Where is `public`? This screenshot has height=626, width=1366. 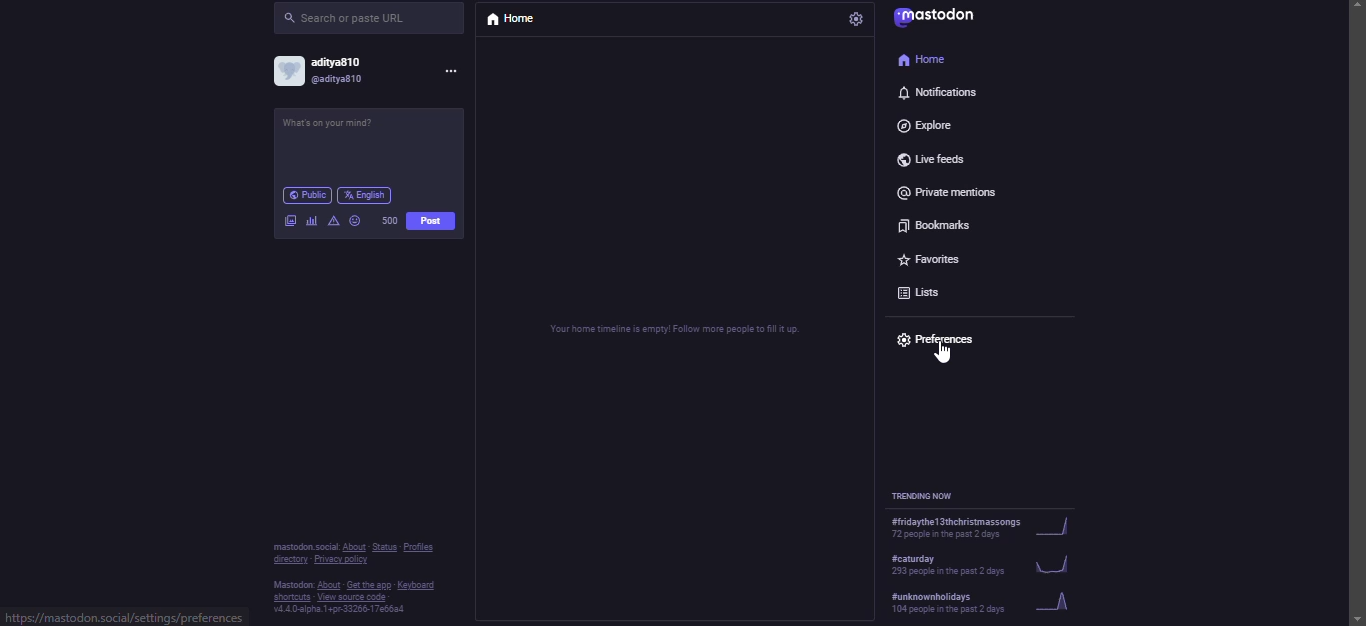 public is located at coordinates (306, 194).